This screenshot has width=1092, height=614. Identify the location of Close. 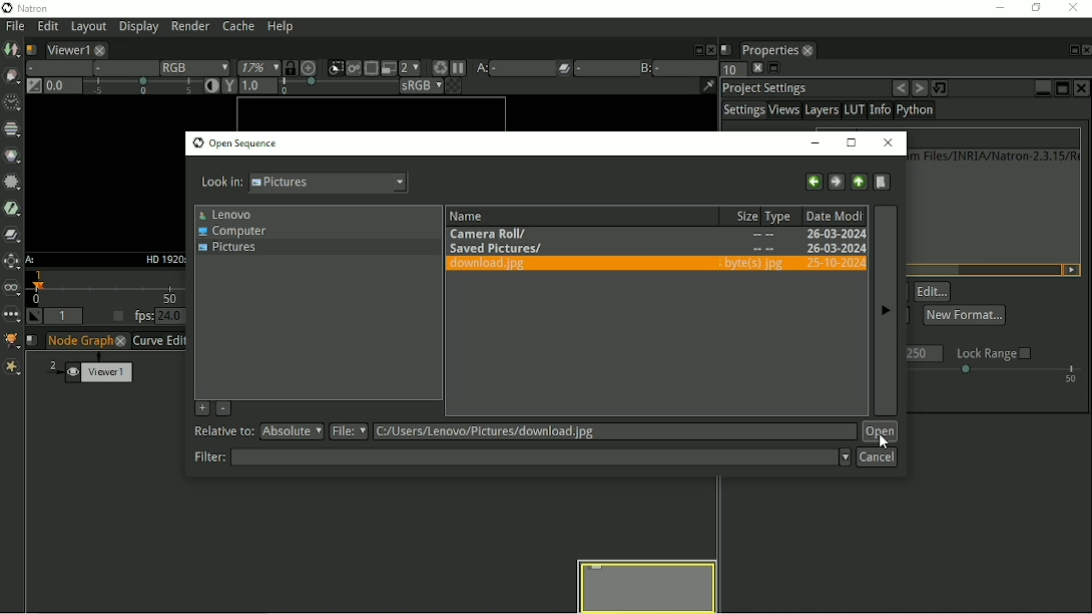
(710, 48).